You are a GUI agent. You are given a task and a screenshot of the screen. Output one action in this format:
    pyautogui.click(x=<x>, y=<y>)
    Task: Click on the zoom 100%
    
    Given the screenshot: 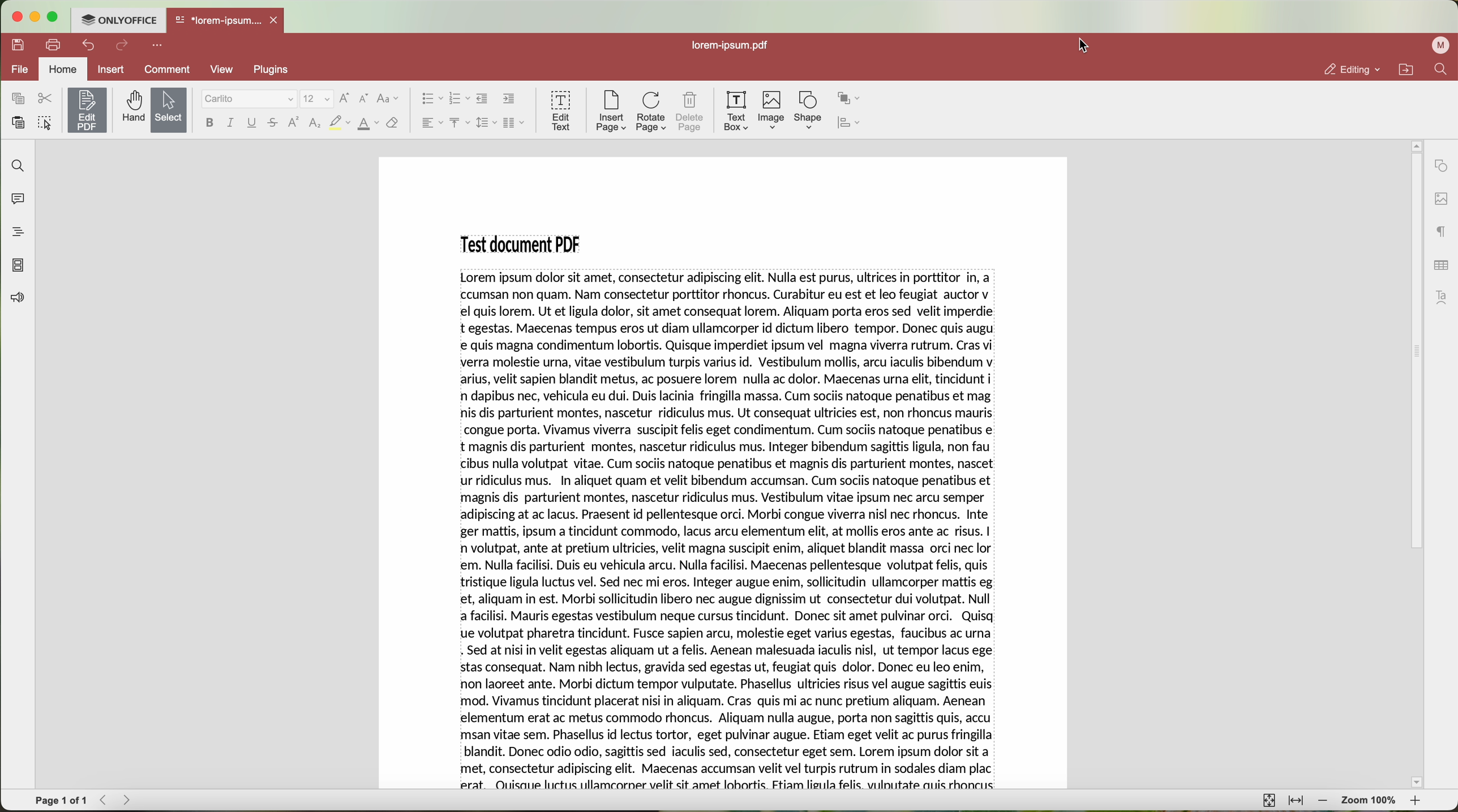 What is the action you would take?
    pyautogui.click(x=1370, y=801)
    